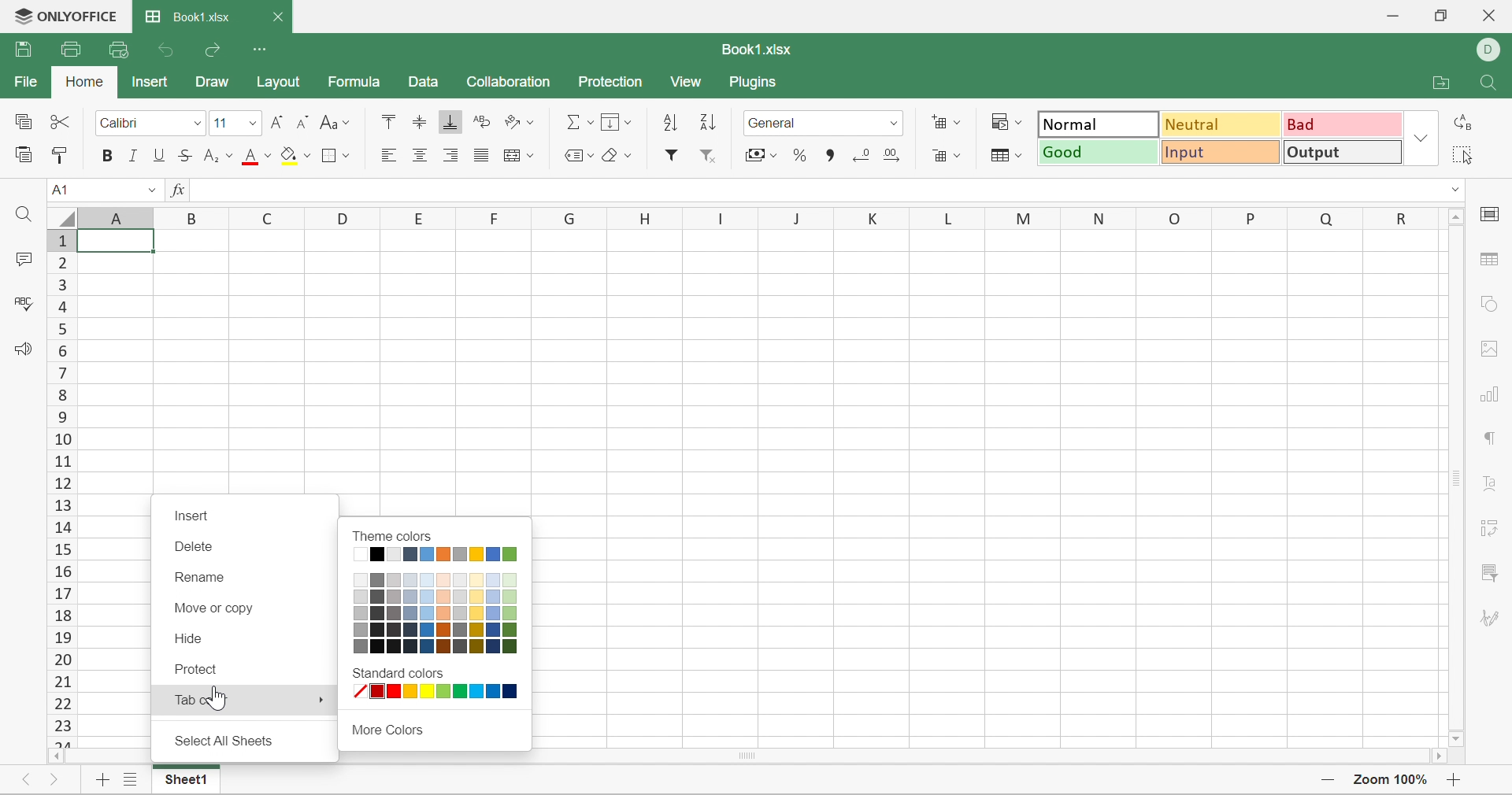 This screenshot has height=795, width=1512. I want to click on 11, so click(222, 124).